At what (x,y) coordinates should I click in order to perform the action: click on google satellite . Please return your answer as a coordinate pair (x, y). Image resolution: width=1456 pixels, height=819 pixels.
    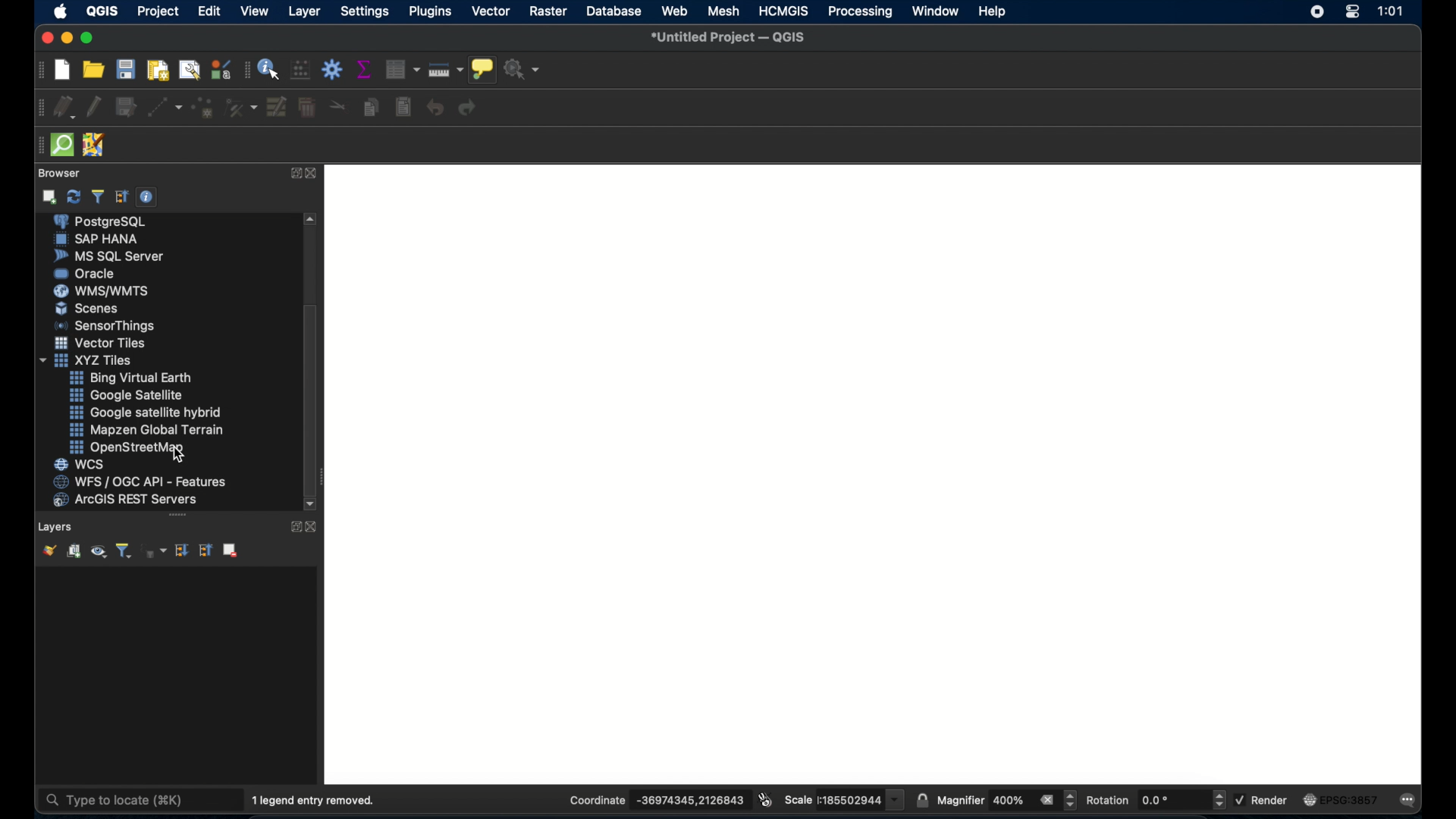
    Looking at the image, I should click on (129, 397).